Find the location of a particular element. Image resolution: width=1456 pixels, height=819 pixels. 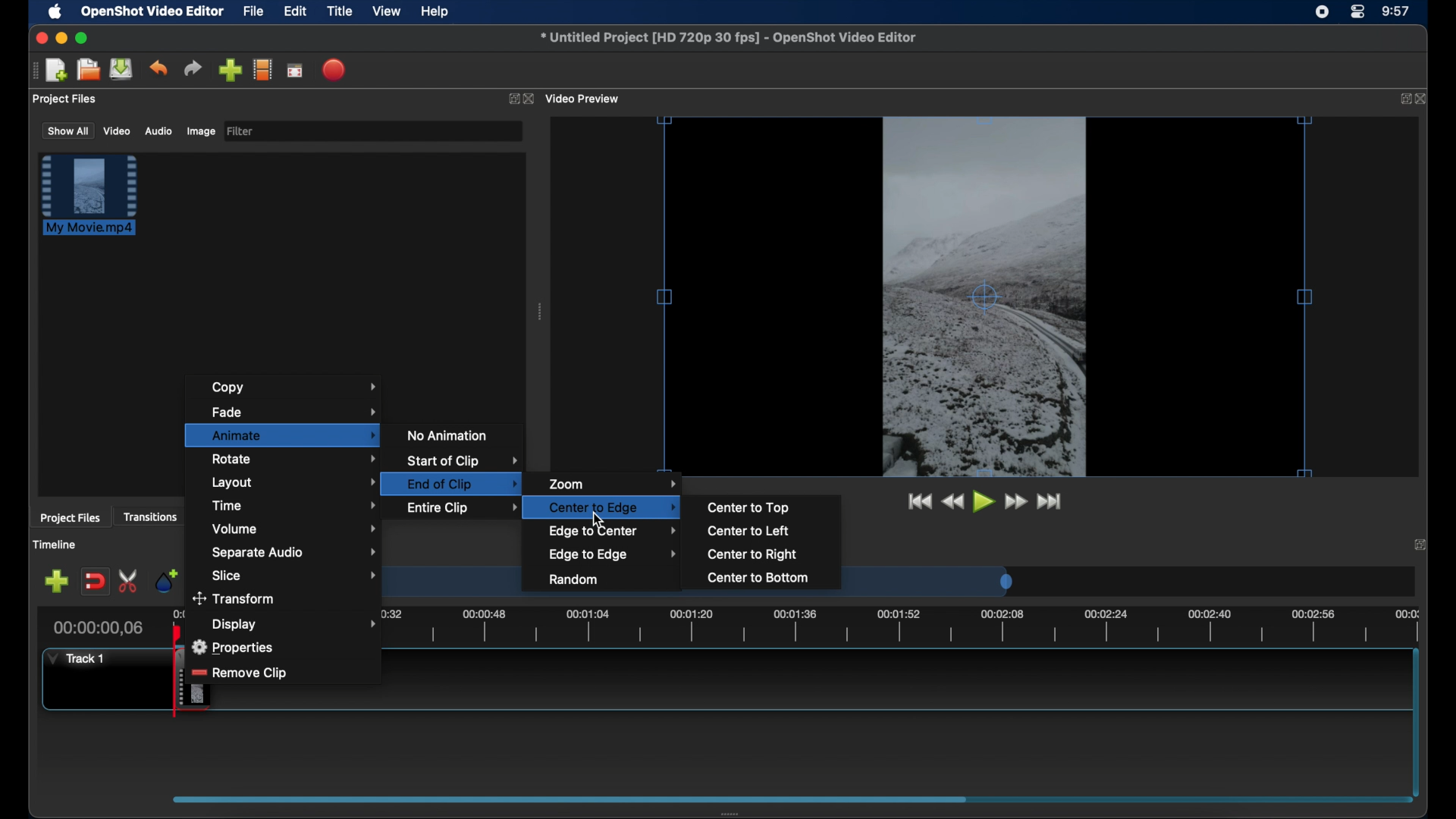

expand is located at coordinates (511, 99).